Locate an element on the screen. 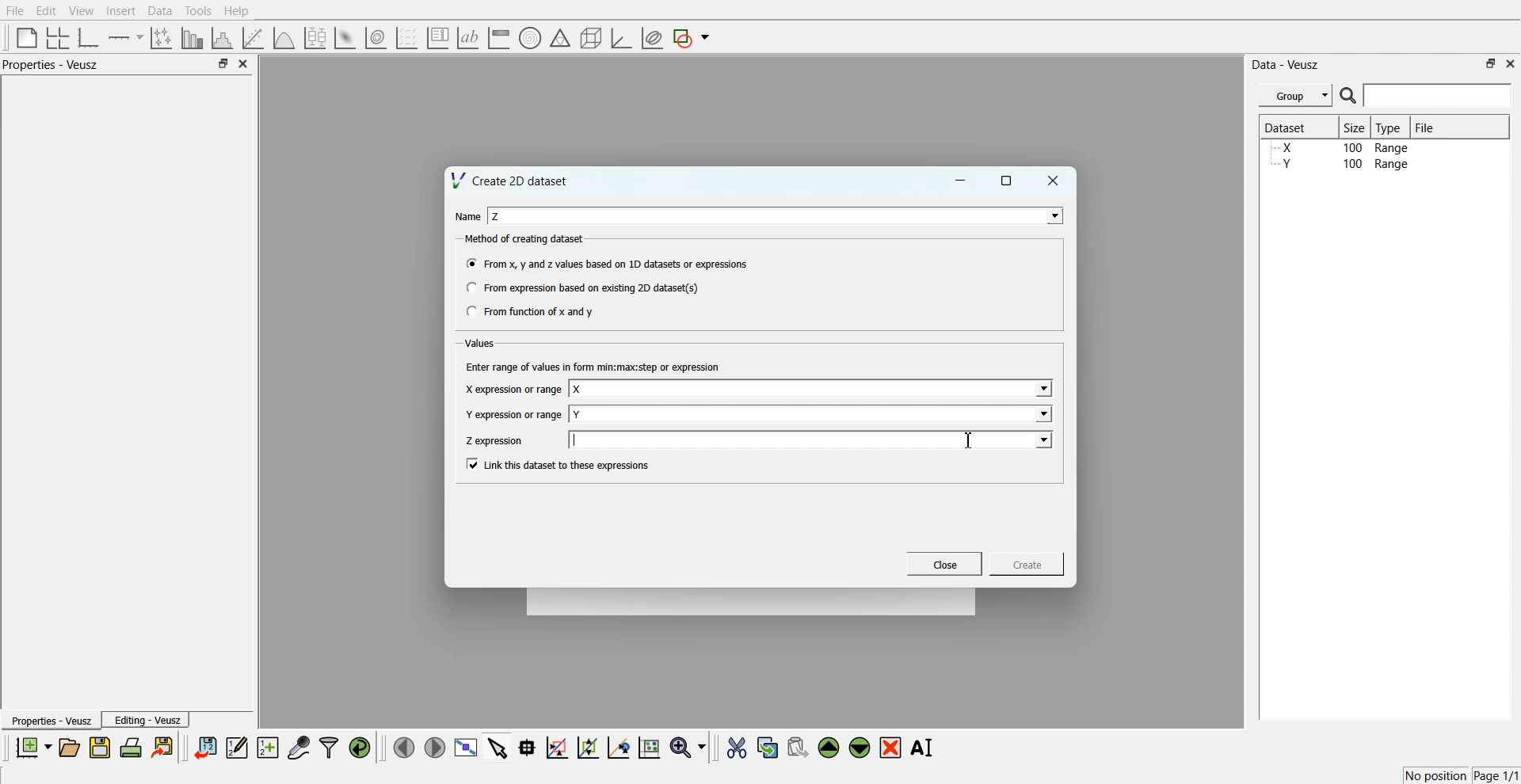 The image size is (1521, 784). Maximize is located at coordinates (1007, 181).